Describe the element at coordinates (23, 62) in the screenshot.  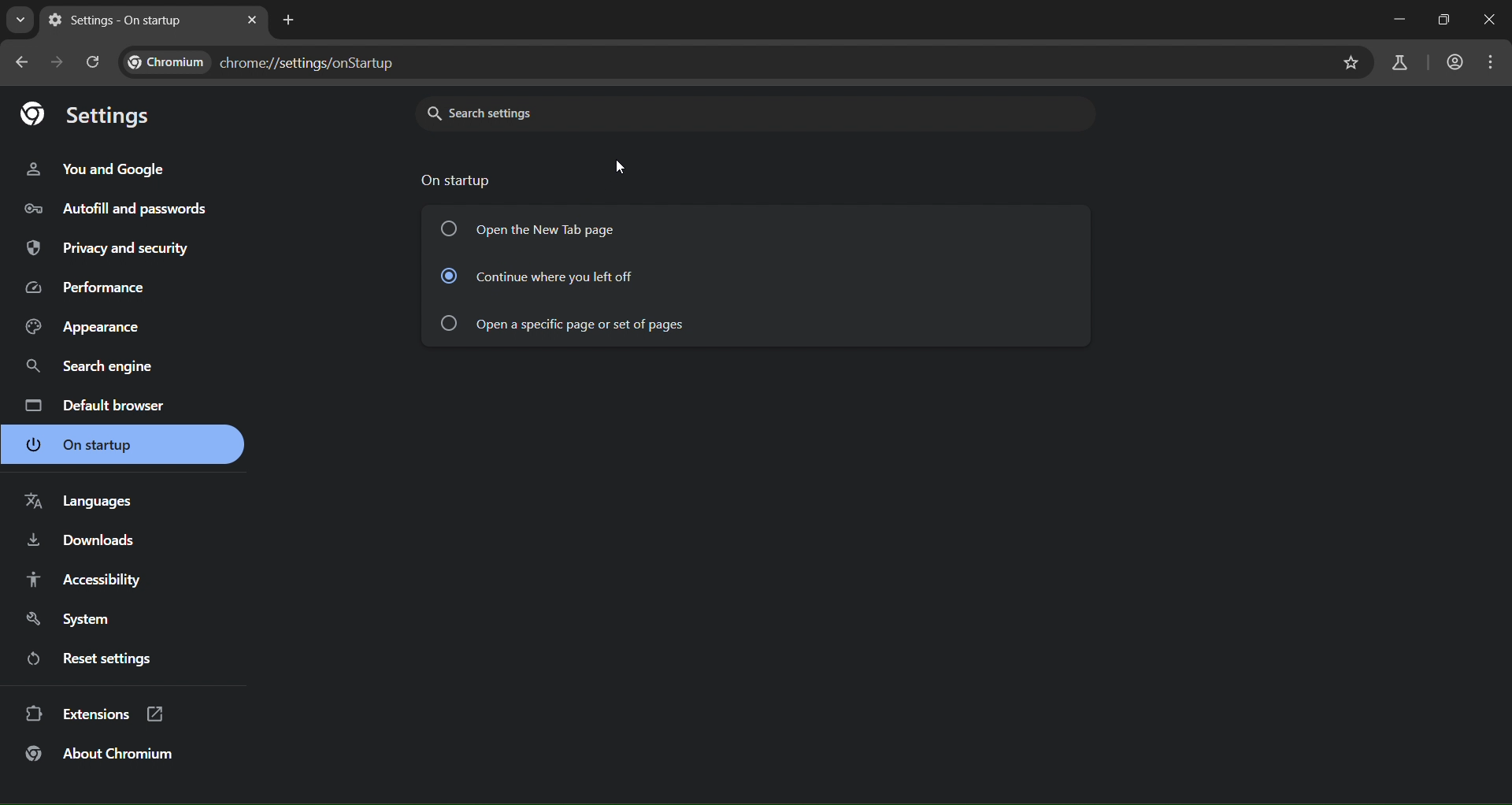
I see `go back 1 page` at that location.